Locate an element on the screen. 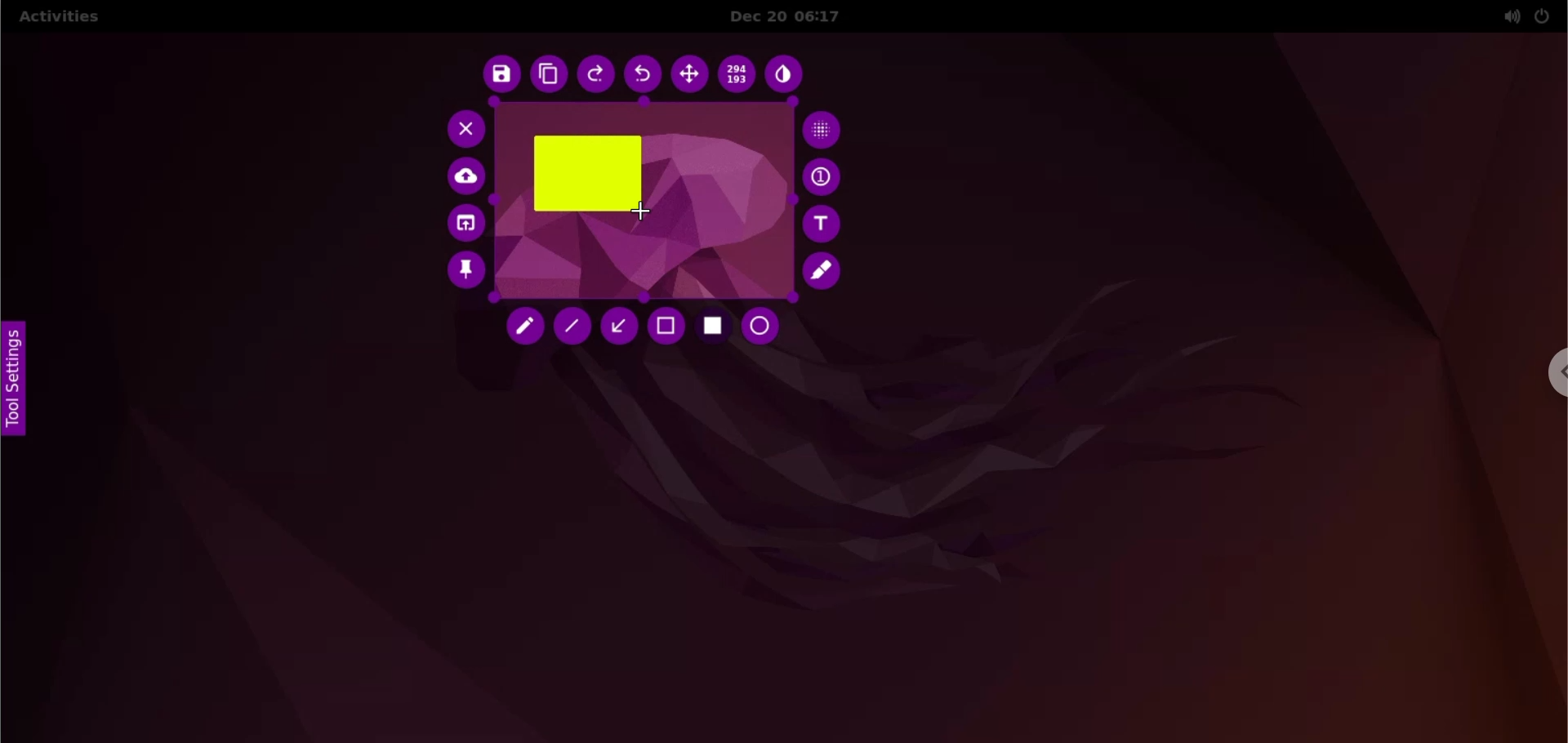 This screenshot has height=743, width=1568. inverter tool is located at coordinates (786, 77).